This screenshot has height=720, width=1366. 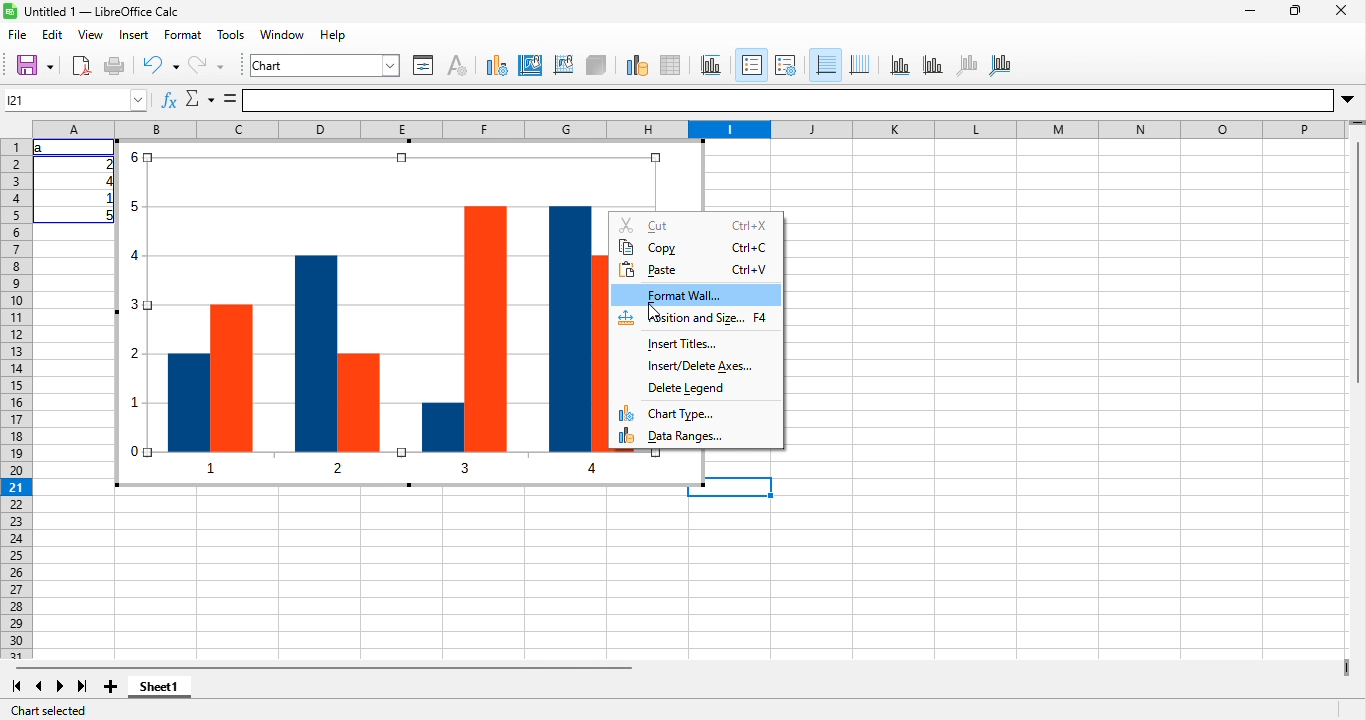 I want to click on y axis, so click(x=934, y=66).